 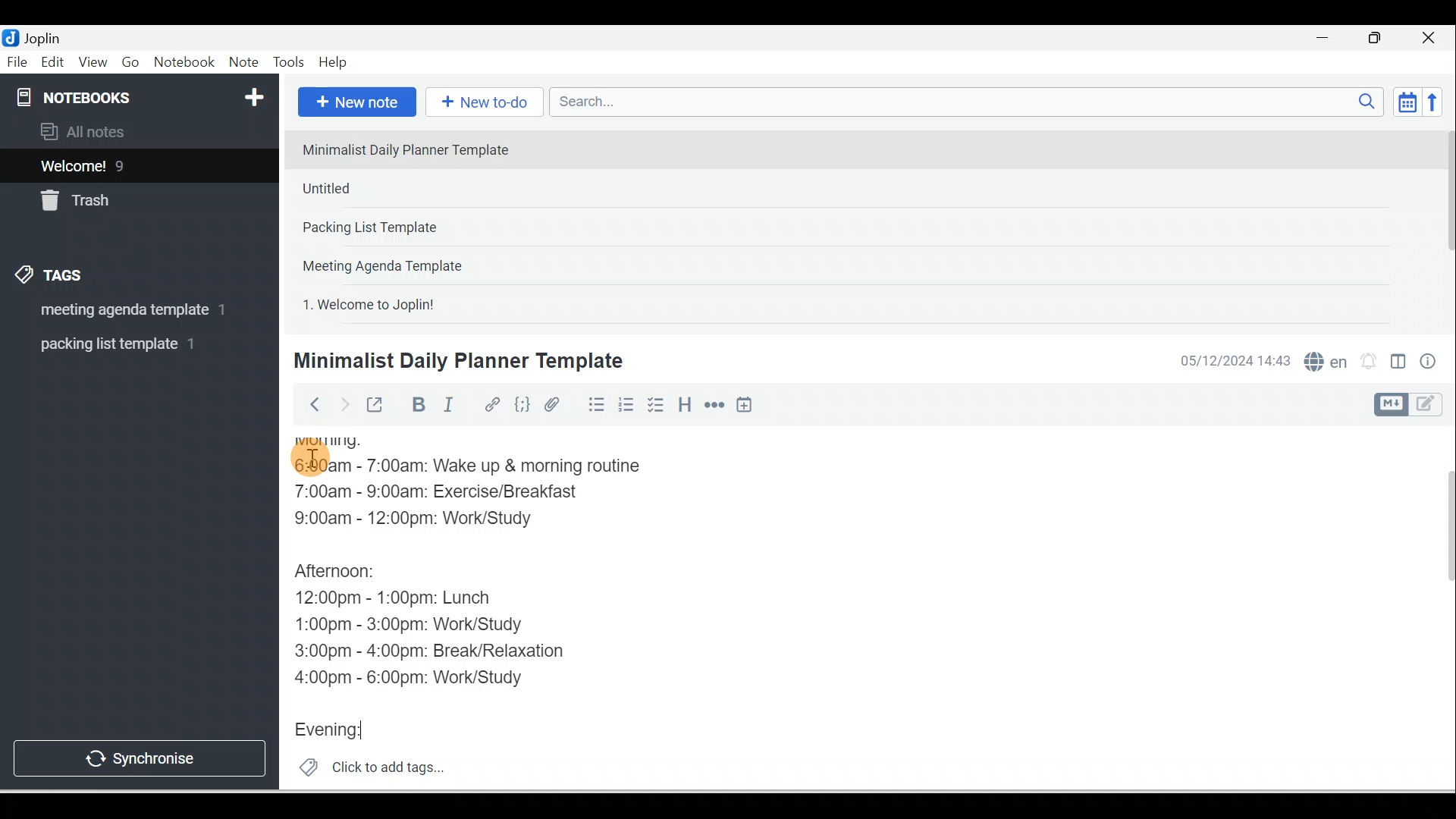 What do you see at coordinates (462, 653) in the screenshot?
I see `3:00pm - 4:00pm: Break/Relaxation` at bounding box center [462, 653].